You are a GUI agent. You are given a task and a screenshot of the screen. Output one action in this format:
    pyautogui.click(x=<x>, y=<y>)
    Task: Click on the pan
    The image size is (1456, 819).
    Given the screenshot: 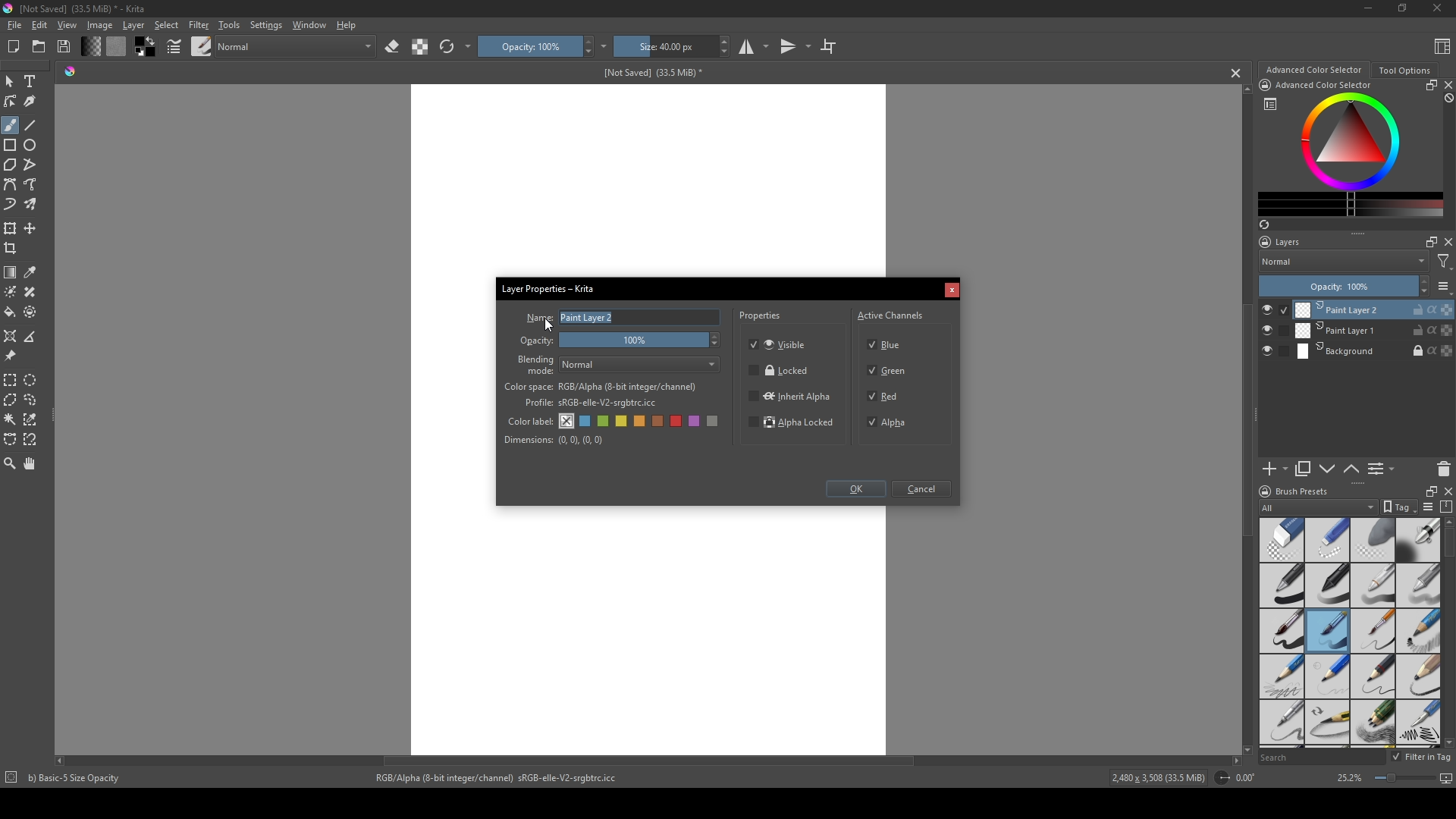 What is the action you would take?
    pyautogui.click(x=31, y=463)
    